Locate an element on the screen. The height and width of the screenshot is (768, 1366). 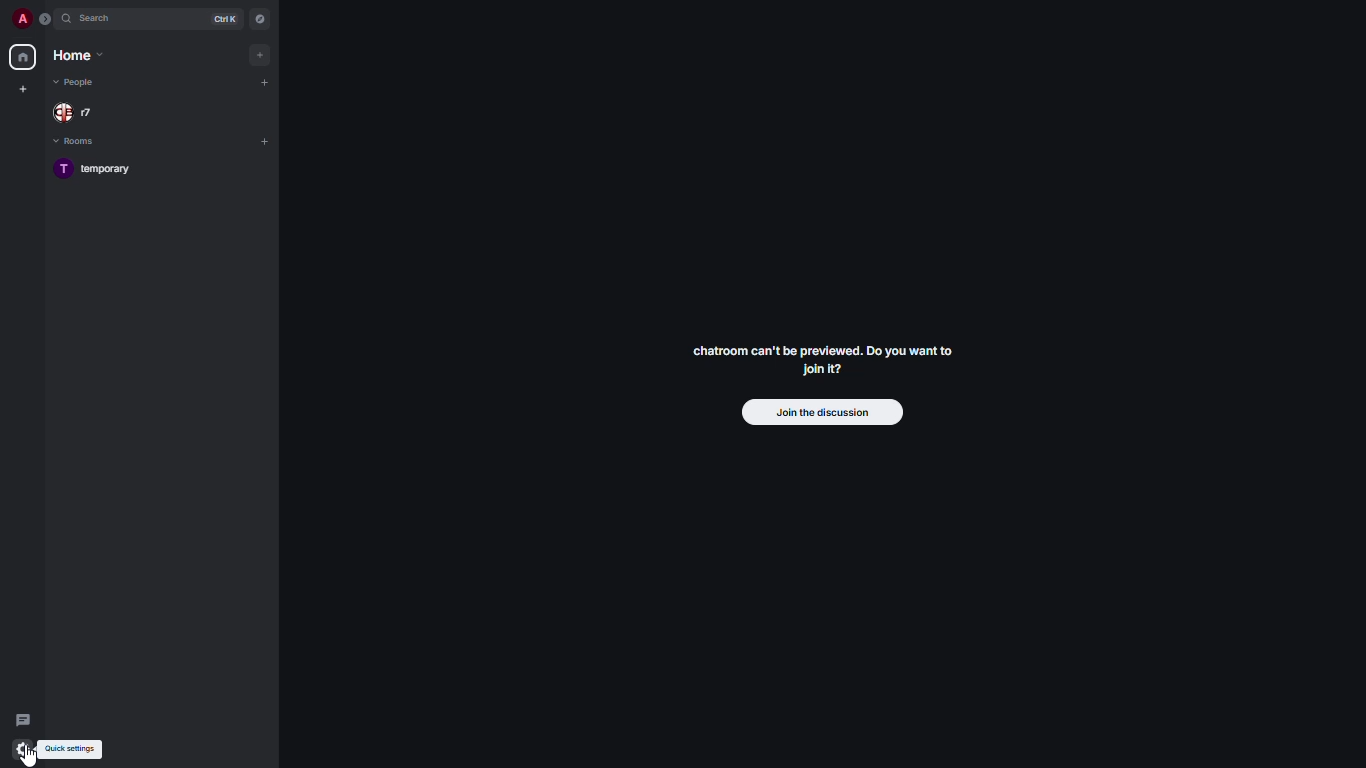
add is located at coordinates (264, 140).